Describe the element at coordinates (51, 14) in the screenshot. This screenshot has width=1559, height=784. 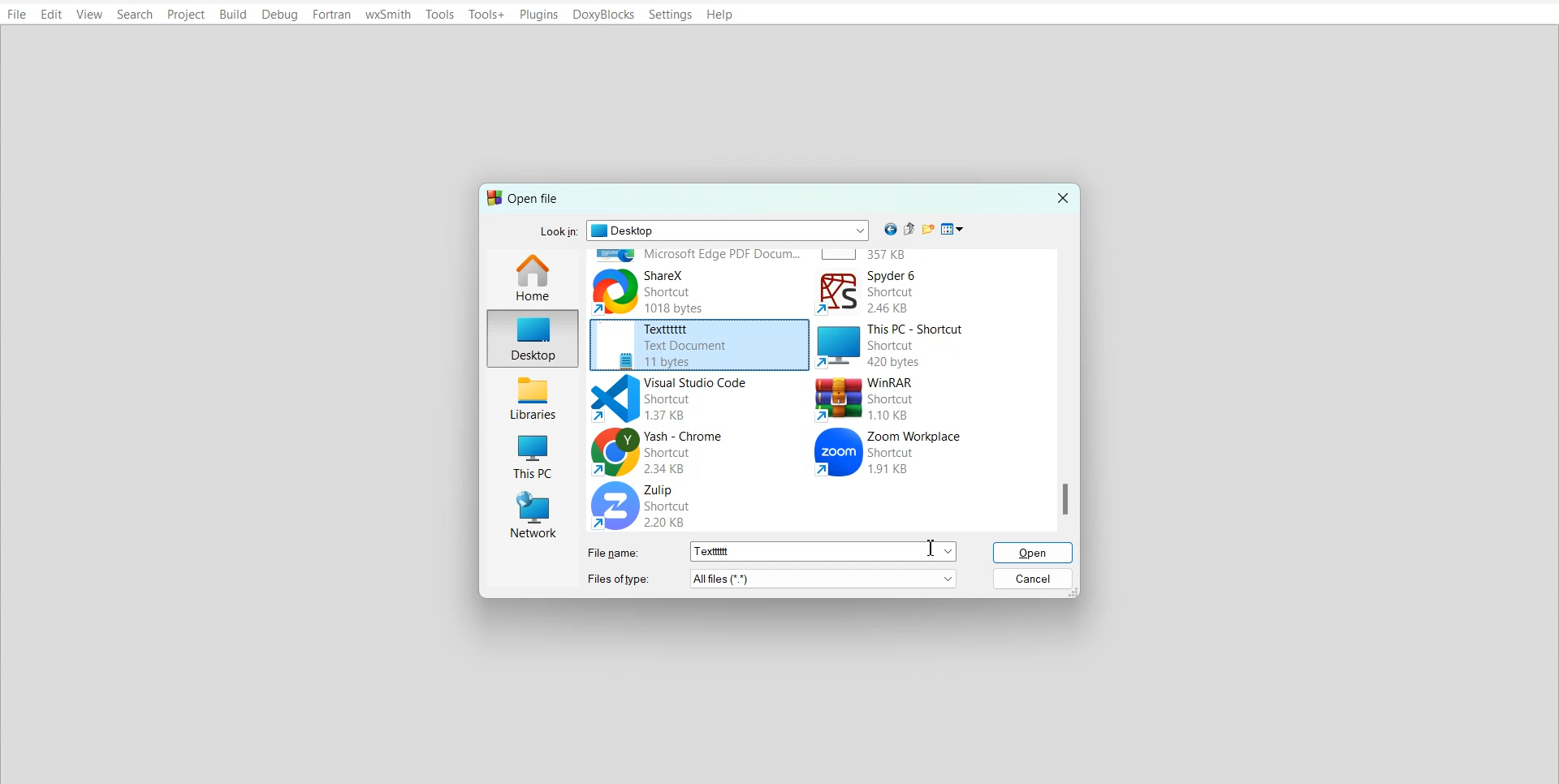
I see `Edit` at that location.